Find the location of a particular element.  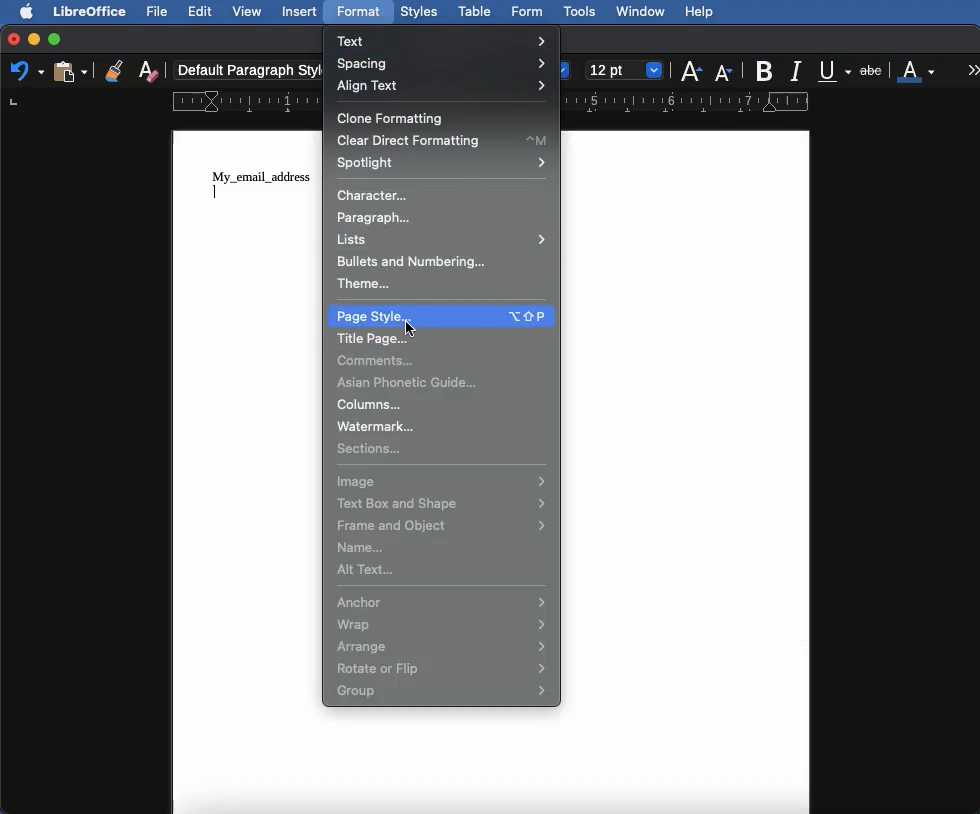

Spacing is located at coordinates (440, 62).